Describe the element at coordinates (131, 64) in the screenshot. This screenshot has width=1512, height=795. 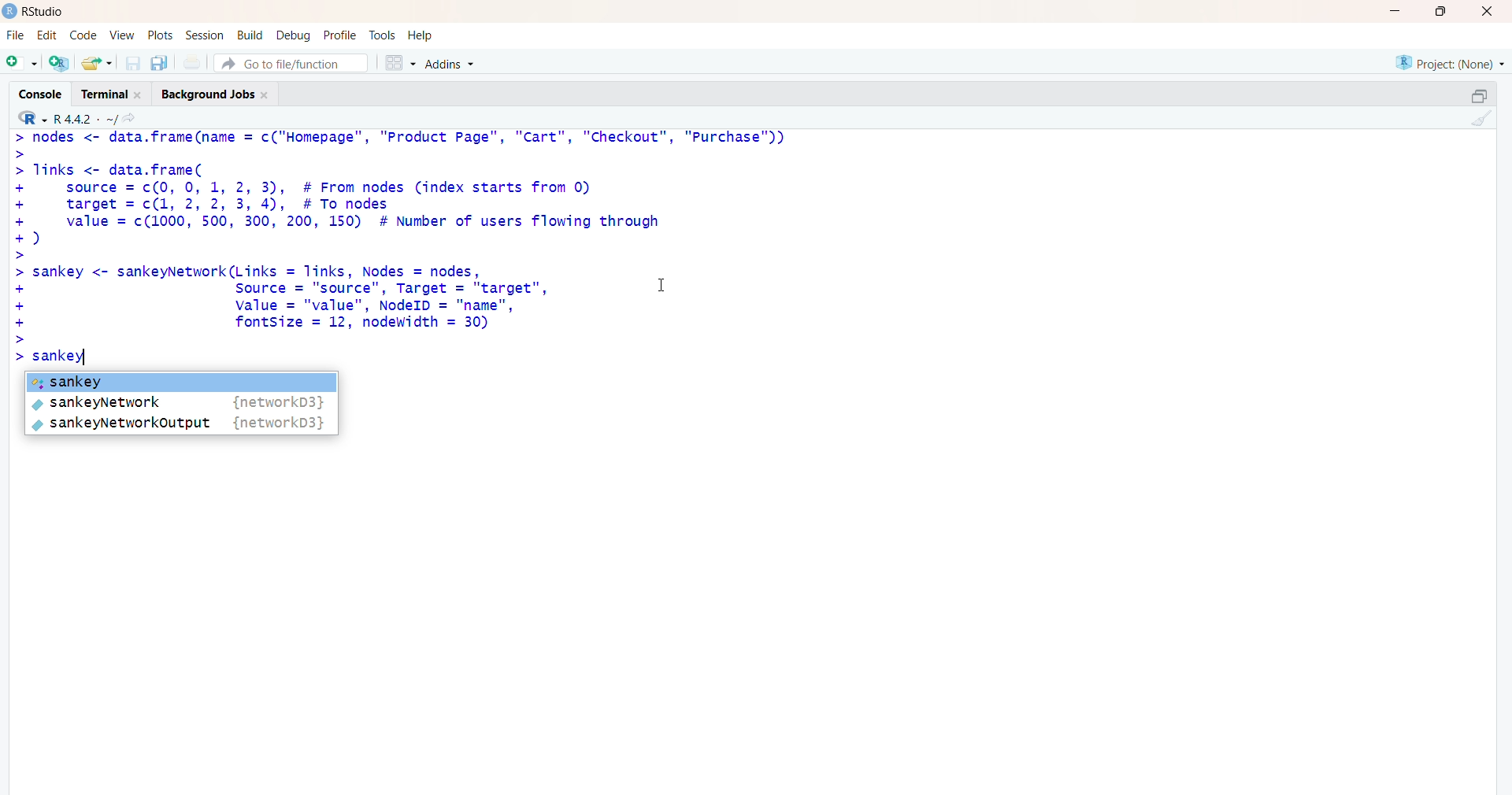
I see `save` at that location.